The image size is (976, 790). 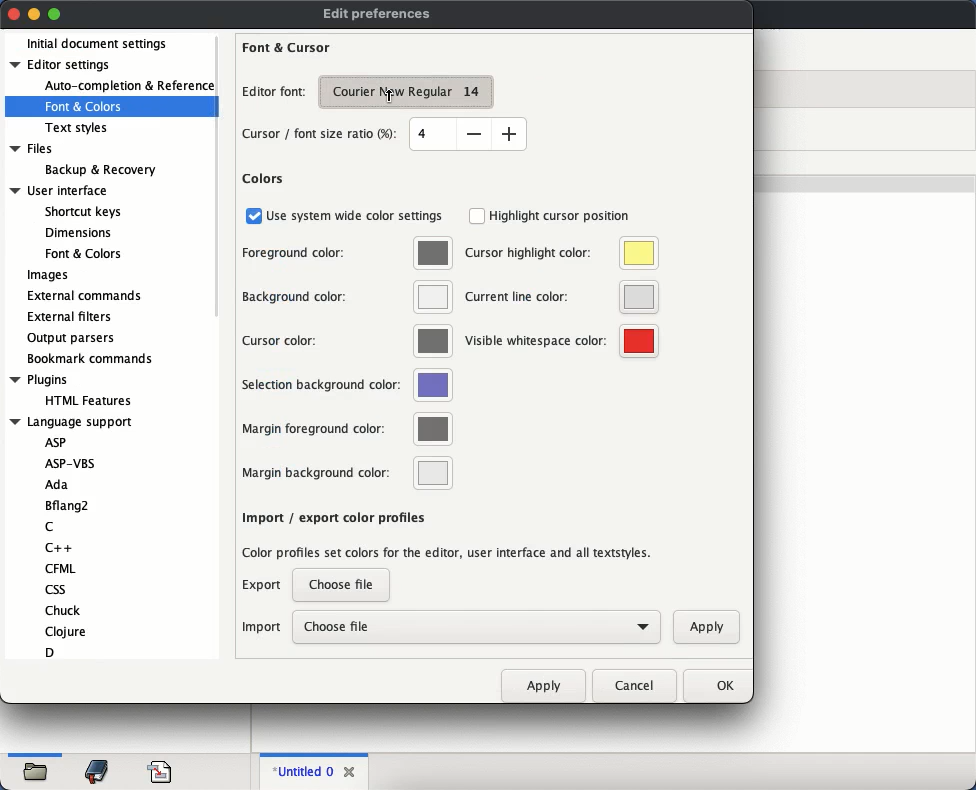 I want to click on apply, so click(x=543, y=685).